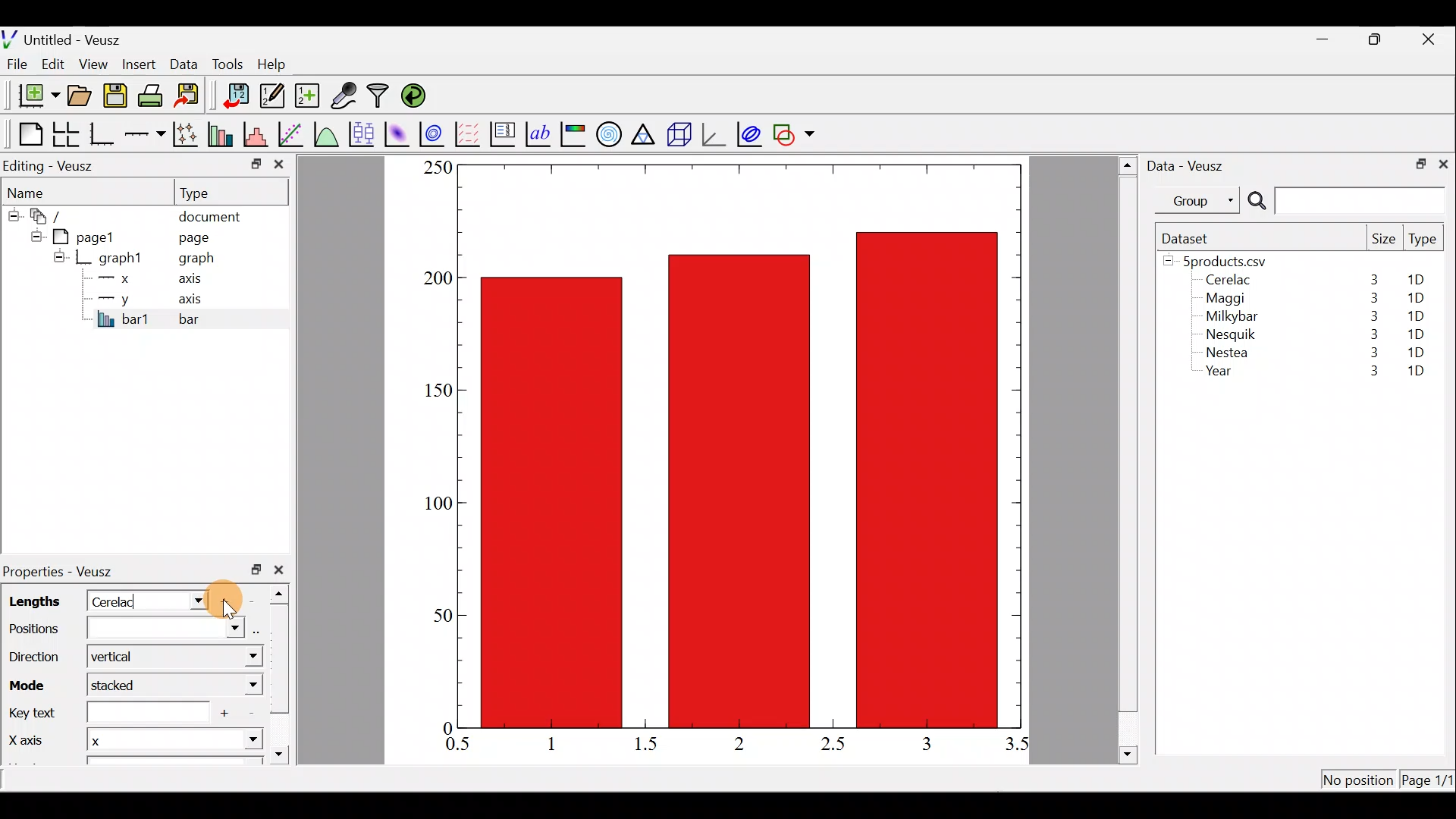 The image size is (1456, 819). Describe the element at coordinates (470, 134) in the screenshot. I see `Plot a vector field` at that location.